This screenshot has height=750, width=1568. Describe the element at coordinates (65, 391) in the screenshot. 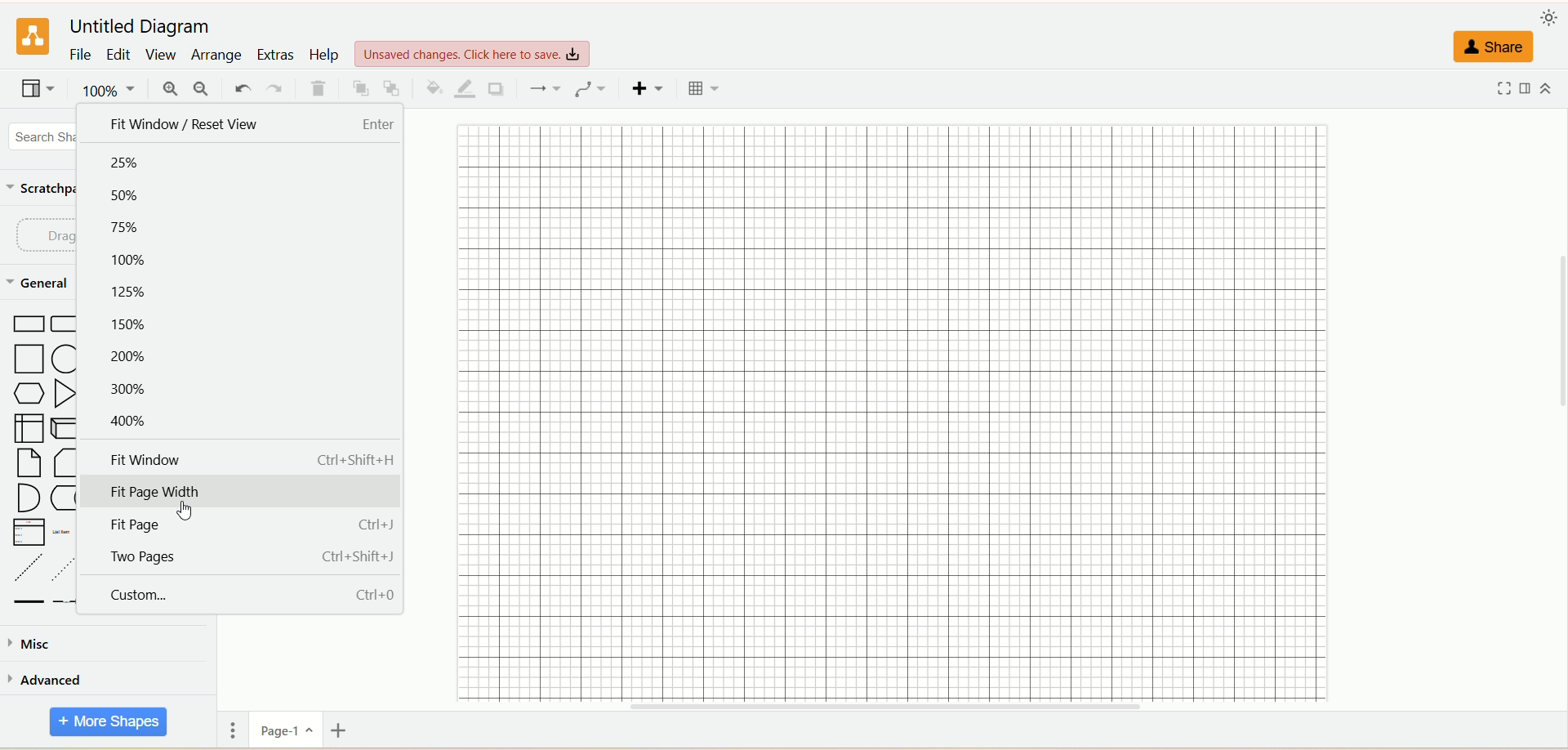

I see `triangle` at that location.